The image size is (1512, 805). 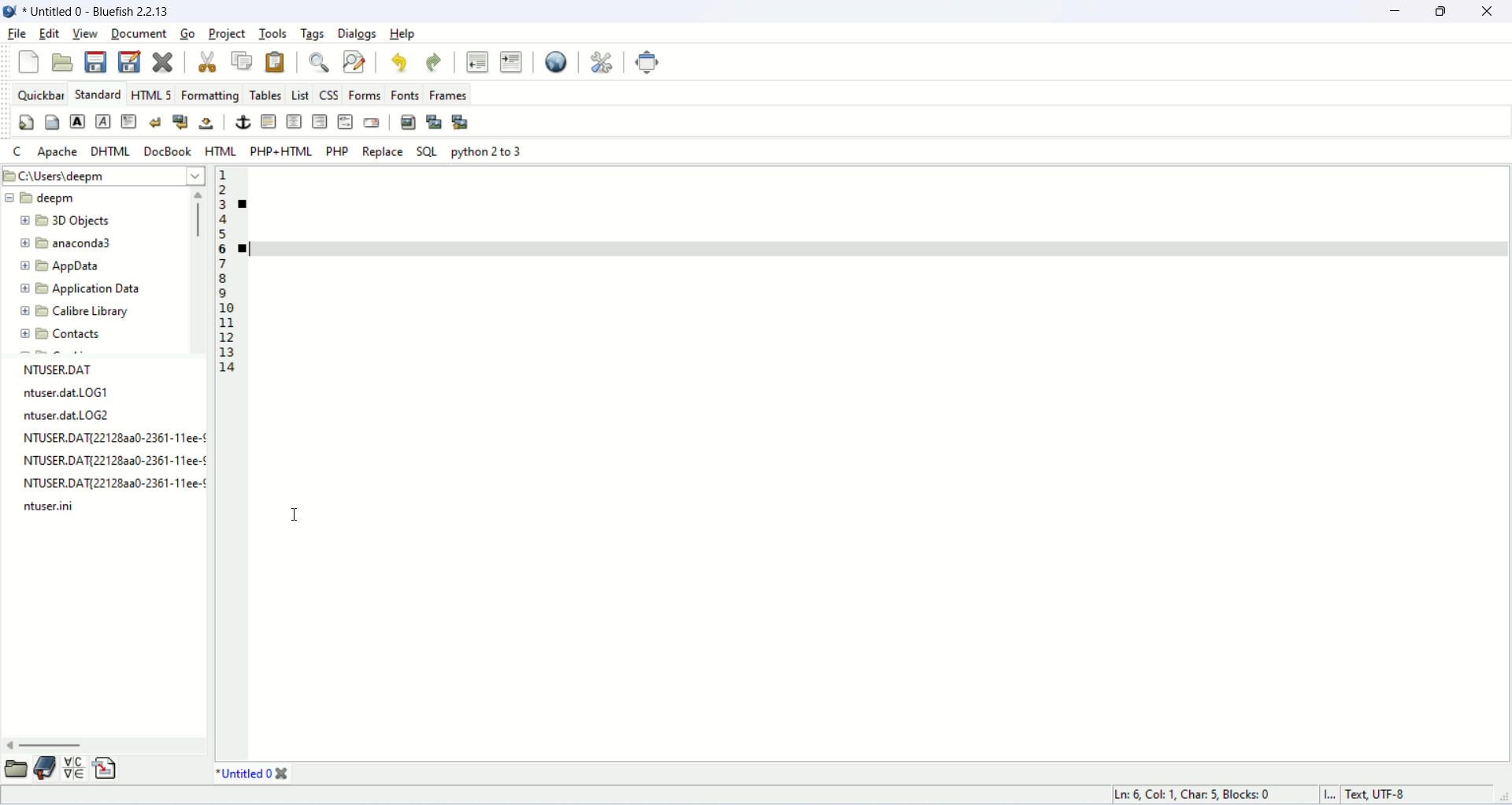 What do you see at coordinates (107, 773) in the screenshot?
I see `snippets` at bounding box center [107, 773].